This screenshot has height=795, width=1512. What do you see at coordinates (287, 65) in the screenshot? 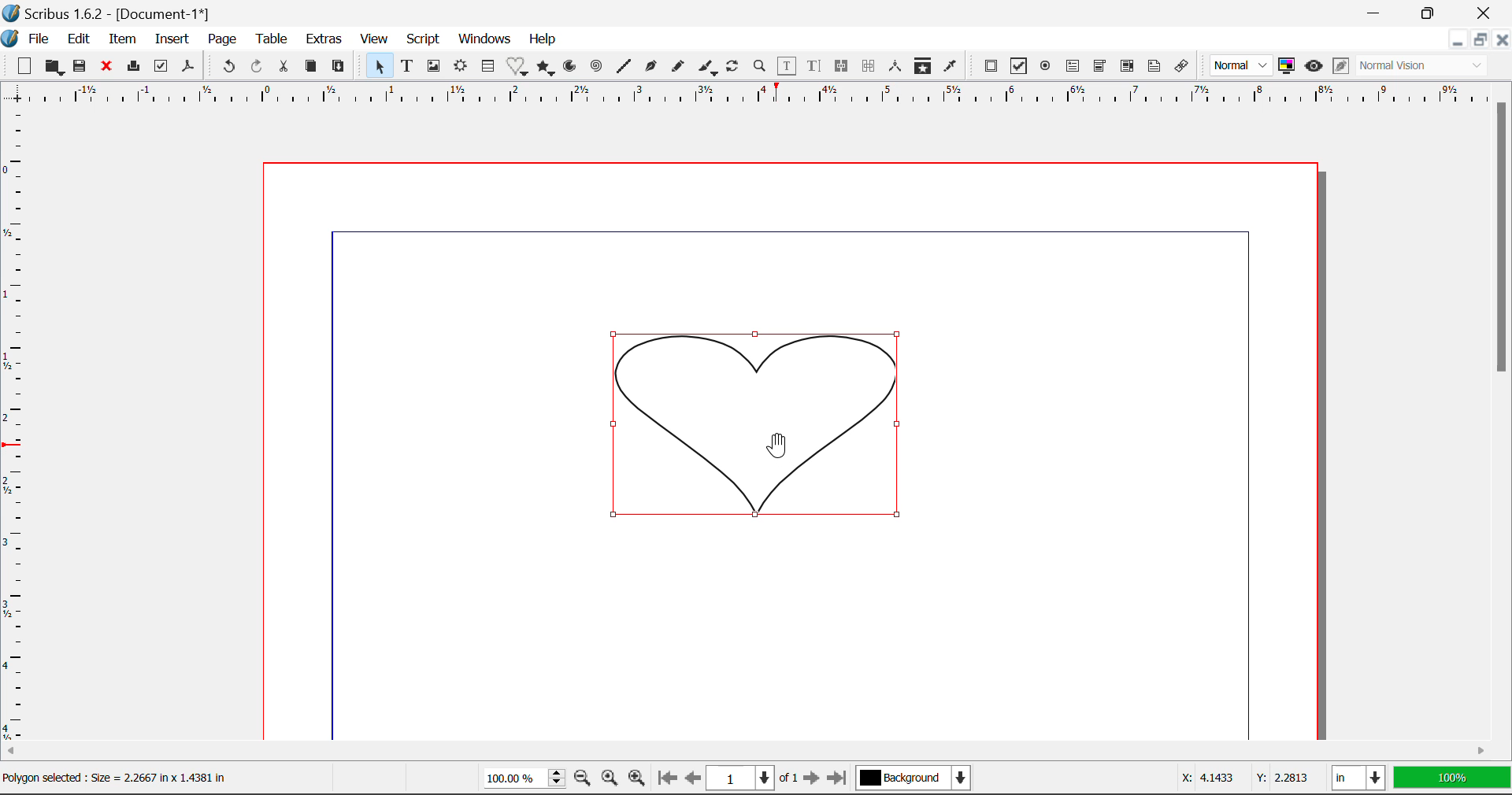
I see `Cut` at bounding box center [287, 65].